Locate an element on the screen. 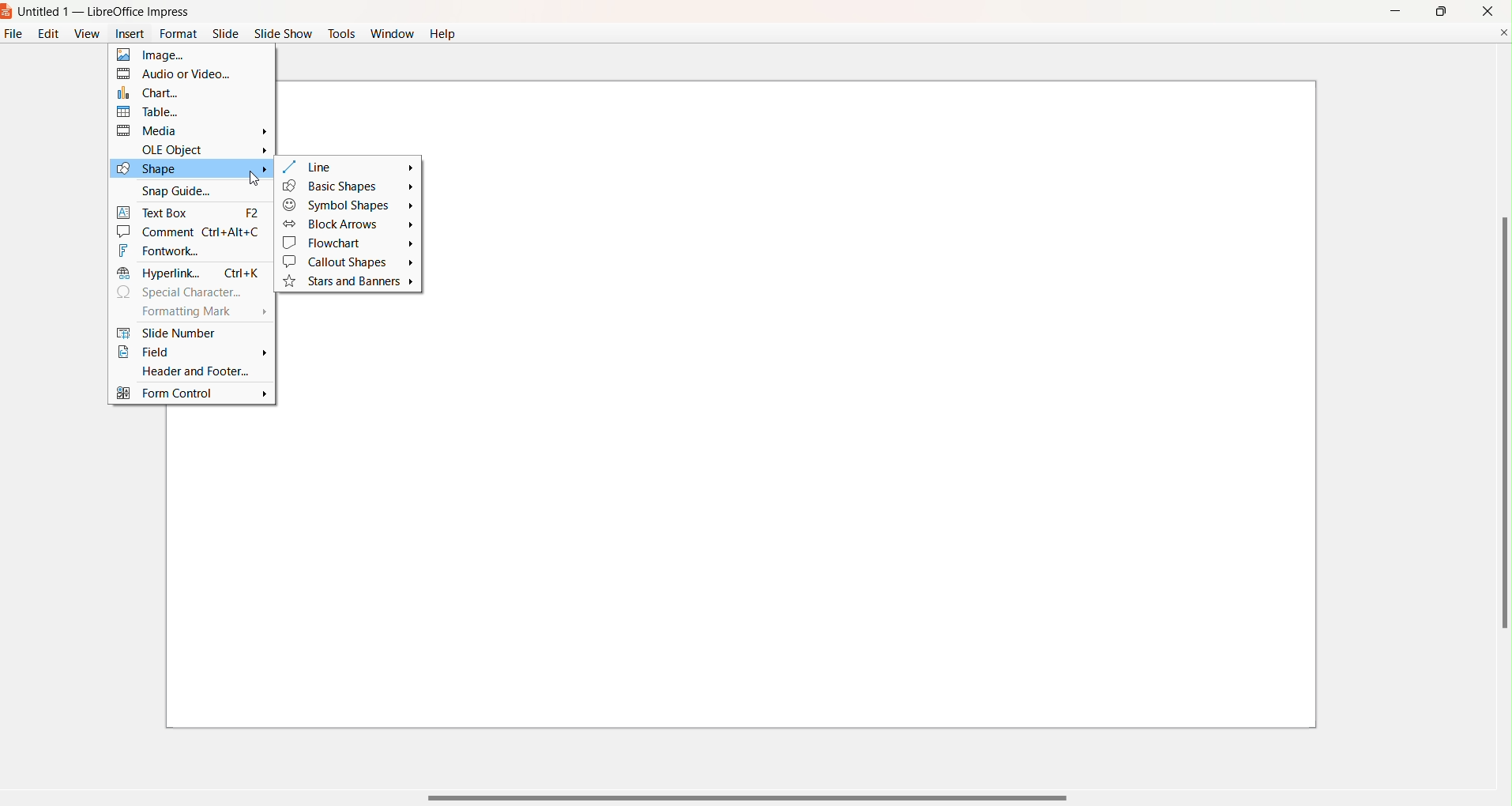 Image resolution: width=1512 pixels, height=806 pixels. Slide Show is located at coordinates (284, 34).